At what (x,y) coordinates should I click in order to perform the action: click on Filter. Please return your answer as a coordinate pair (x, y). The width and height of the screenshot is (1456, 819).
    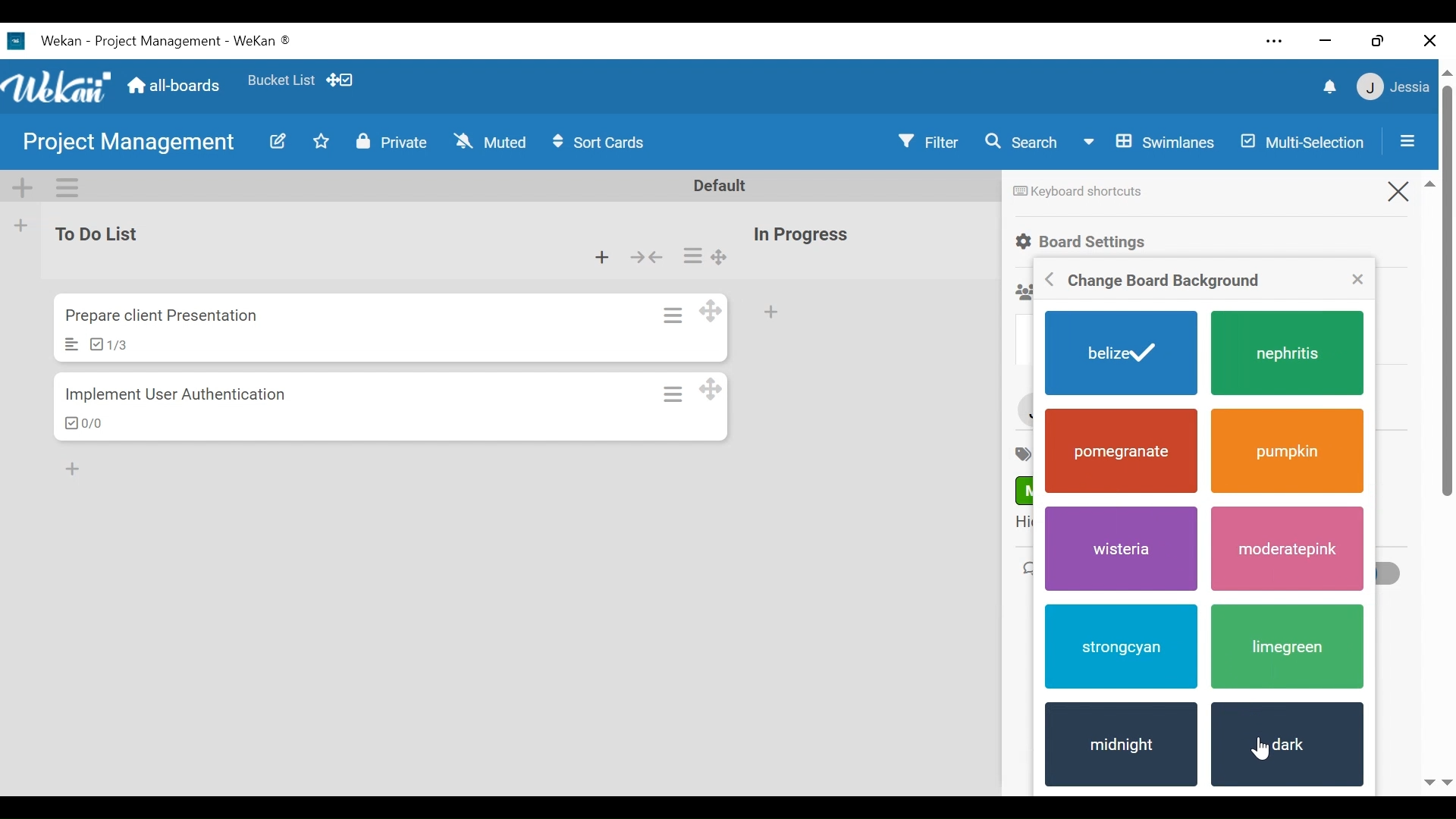
    Looking at the image, I should click on (934, 140).